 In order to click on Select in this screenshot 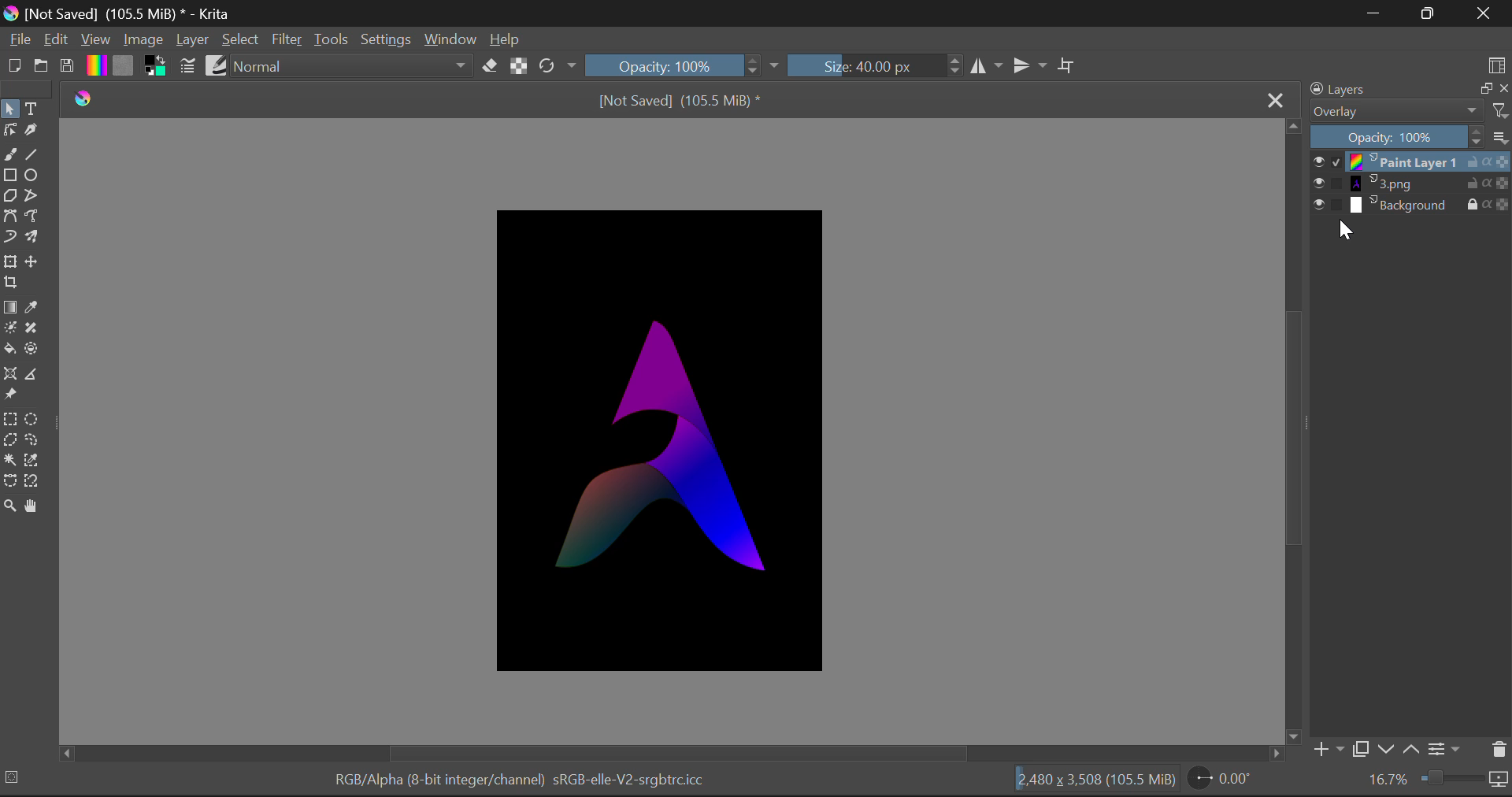, I will do `click(9, 109)`.